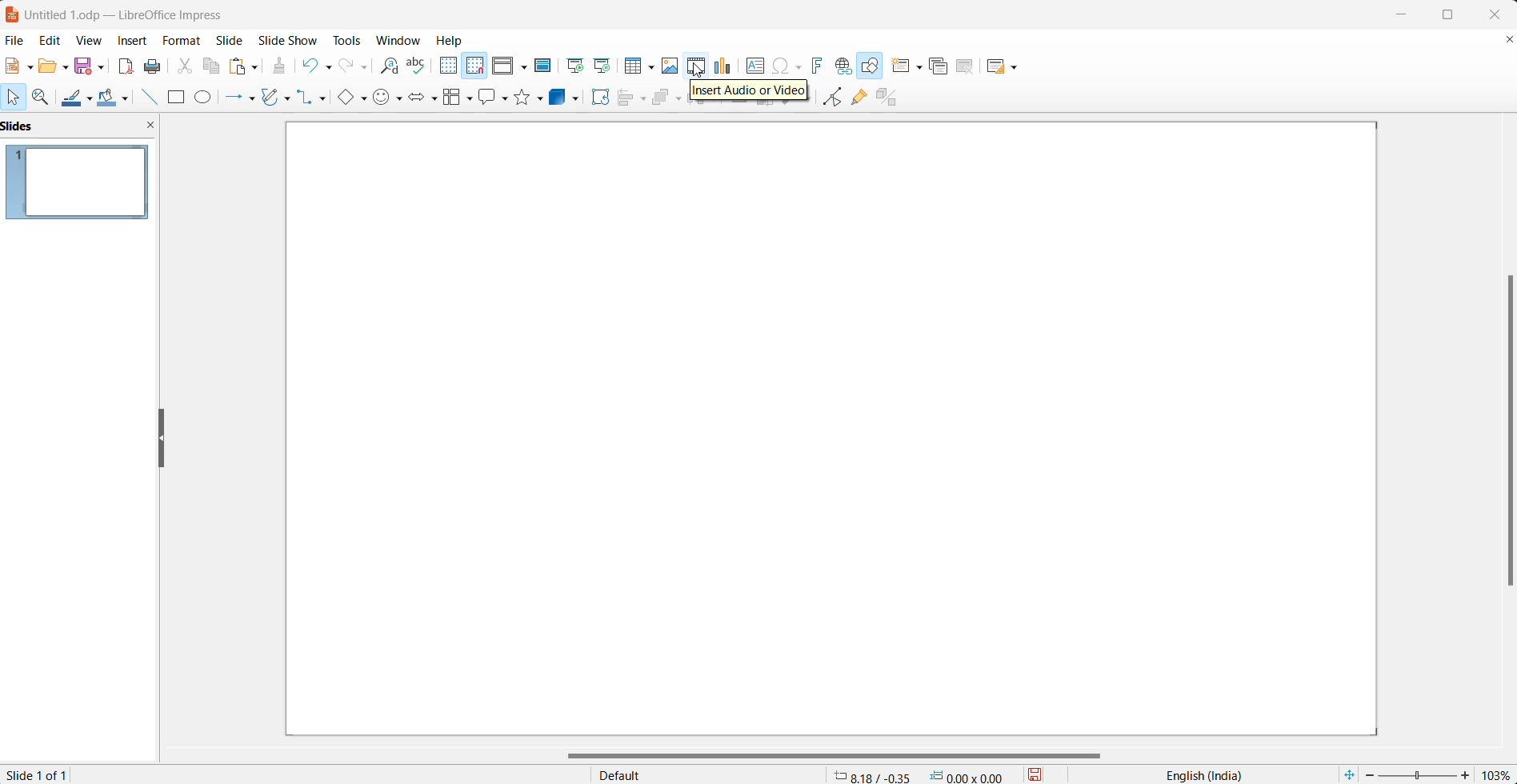 This screenshot has width=1517, height=784. What do you see at coordinates (844, 65) in the screenshot?
I see `insert hyperlink` at bounding box center [844, 65].